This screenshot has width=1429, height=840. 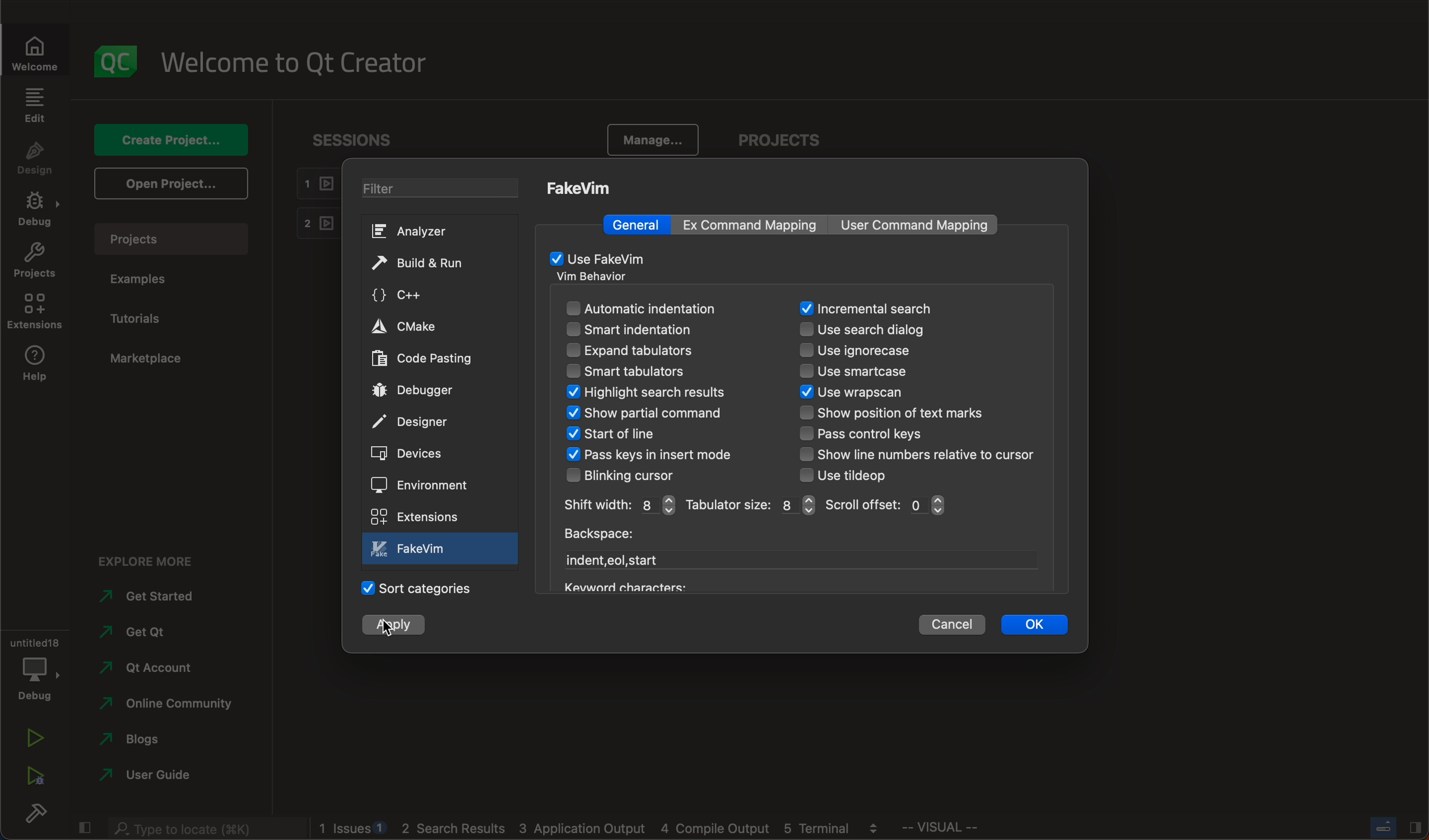 I want to click on sessions, so click(x=357, y=139).